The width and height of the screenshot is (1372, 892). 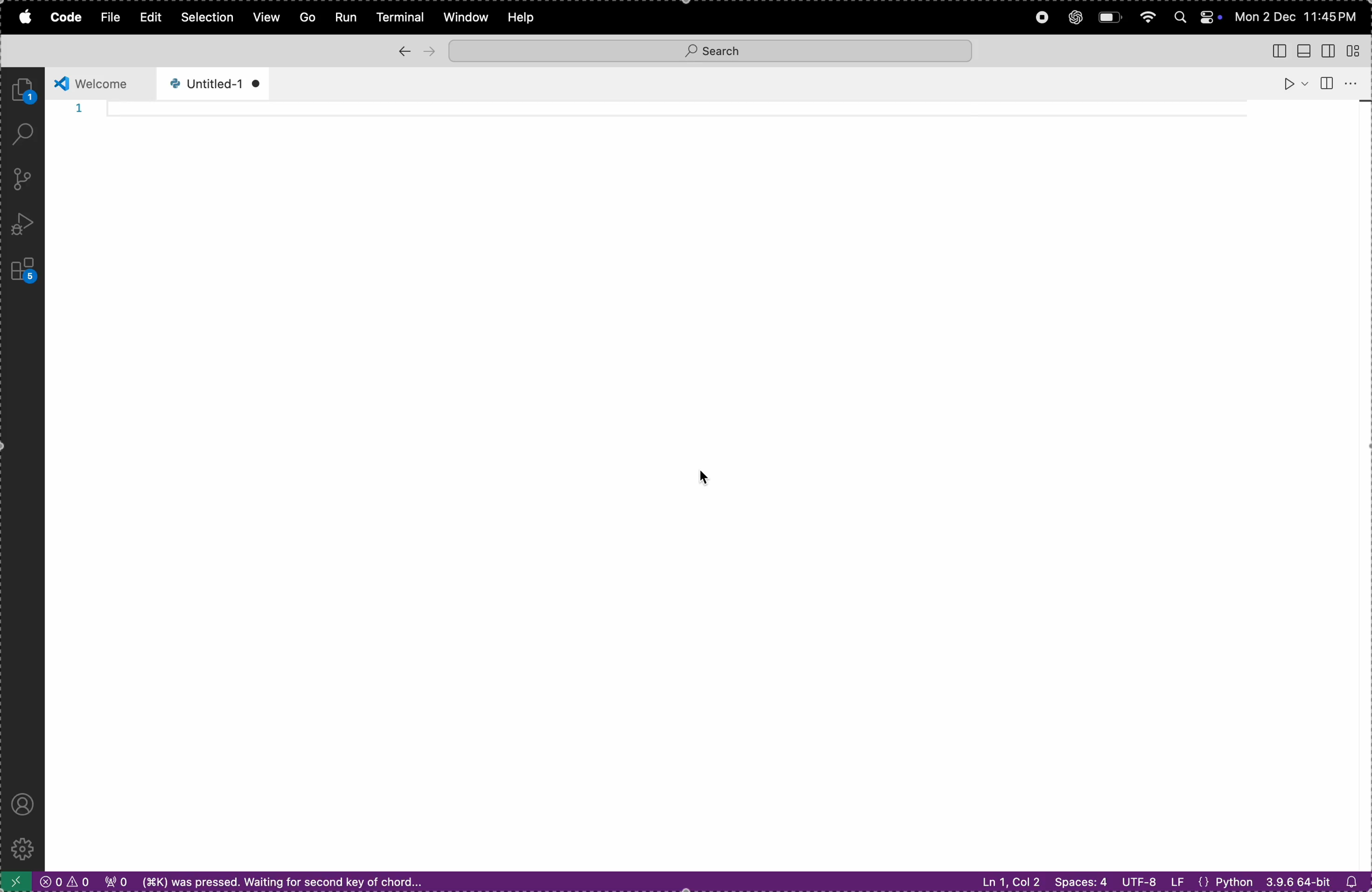 What do you see at coordinates (344, 18) in the screenshot?
I see `run` at bounding box center [344, 18].